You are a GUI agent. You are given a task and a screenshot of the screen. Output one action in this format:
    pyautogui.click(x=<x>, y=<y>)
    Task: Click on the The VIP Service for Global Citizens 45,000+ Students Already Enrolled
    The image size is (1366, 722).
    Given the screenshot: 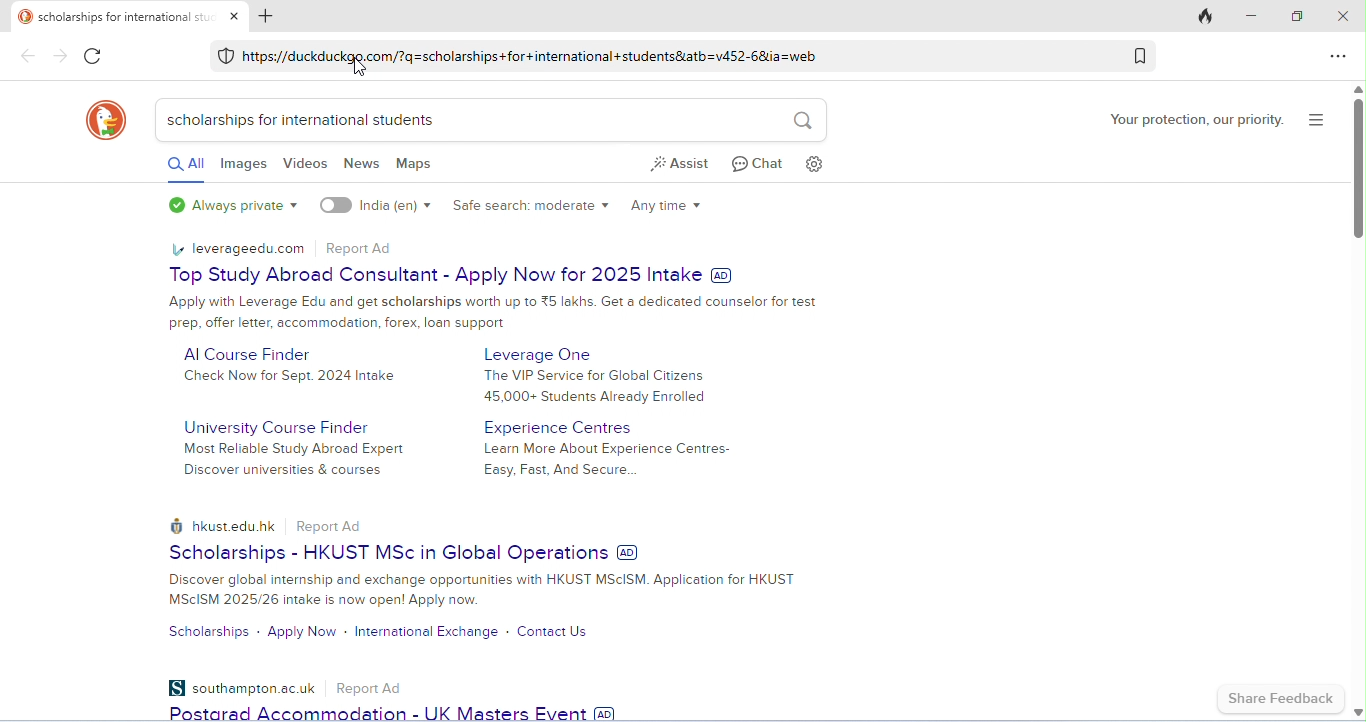 What is the action you would take?
    pyautogui.click(x=596, y=388)
    